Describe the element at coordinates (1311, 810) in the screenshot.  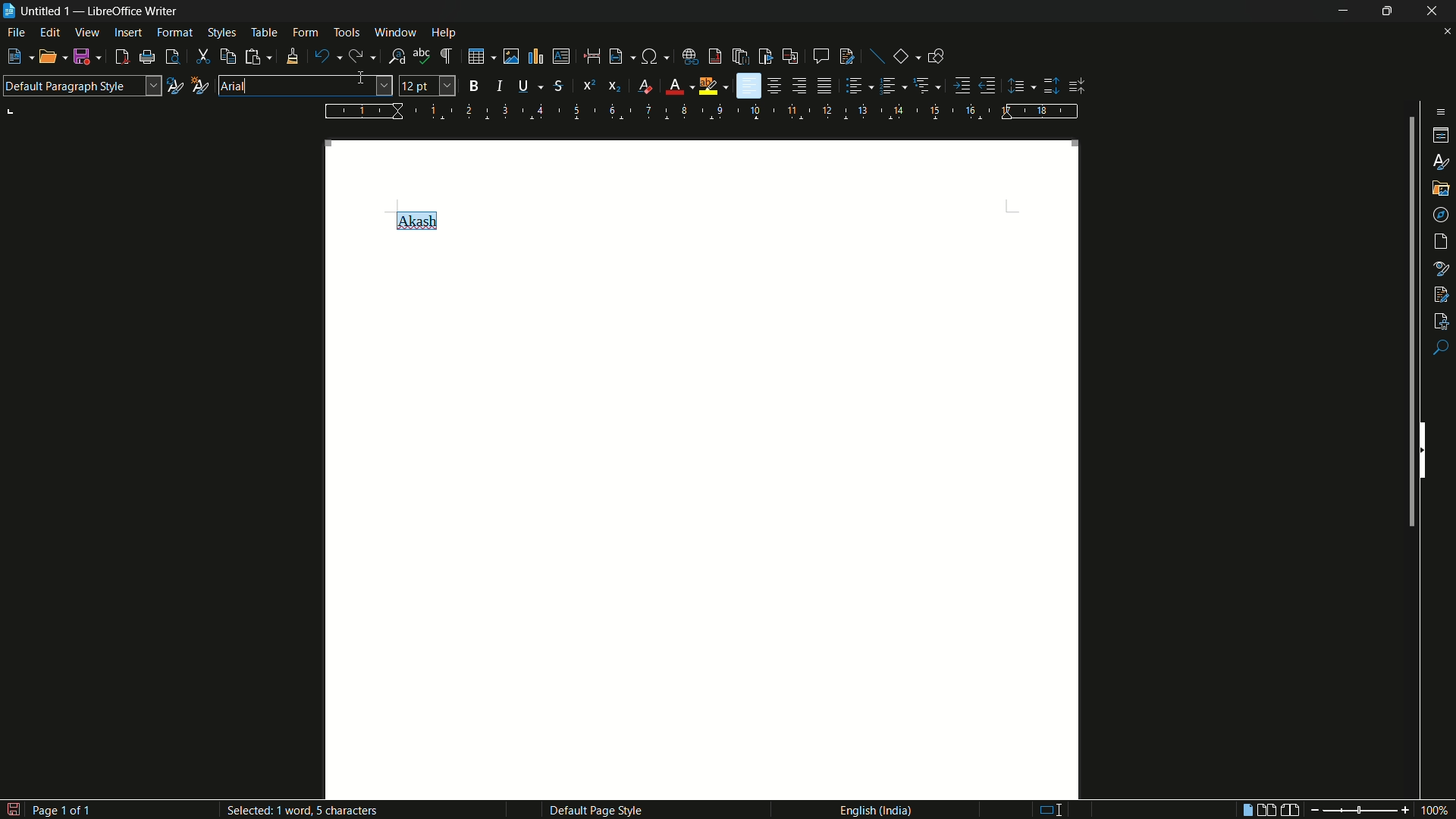
I see `zoom out` at that location.